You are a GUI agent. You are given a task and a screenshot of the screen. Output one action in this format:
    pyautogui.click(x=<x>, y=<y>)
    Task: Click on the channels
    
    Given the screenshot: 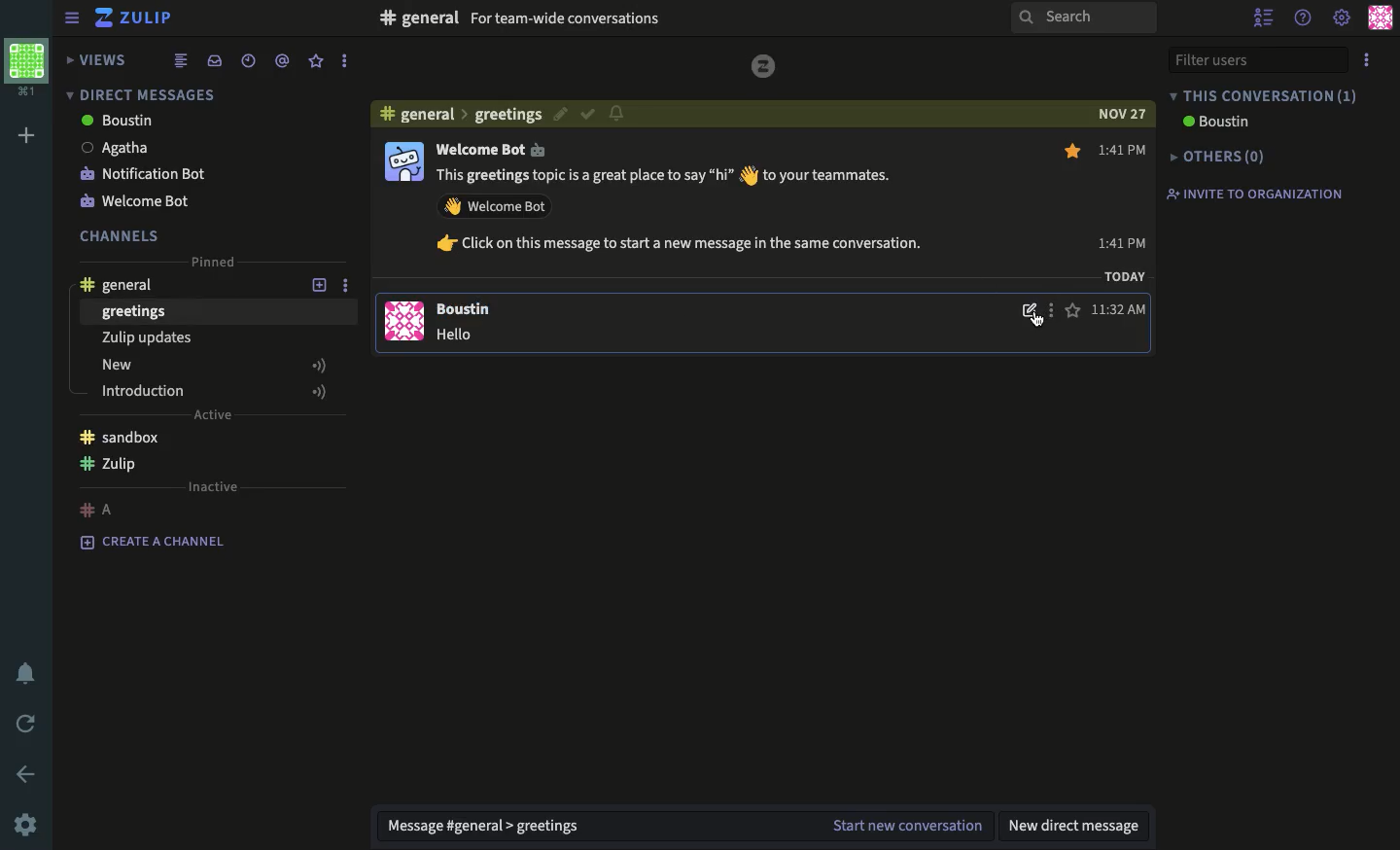 What is the action you would take?
    pyautogui.click(x=122, y=234)
    